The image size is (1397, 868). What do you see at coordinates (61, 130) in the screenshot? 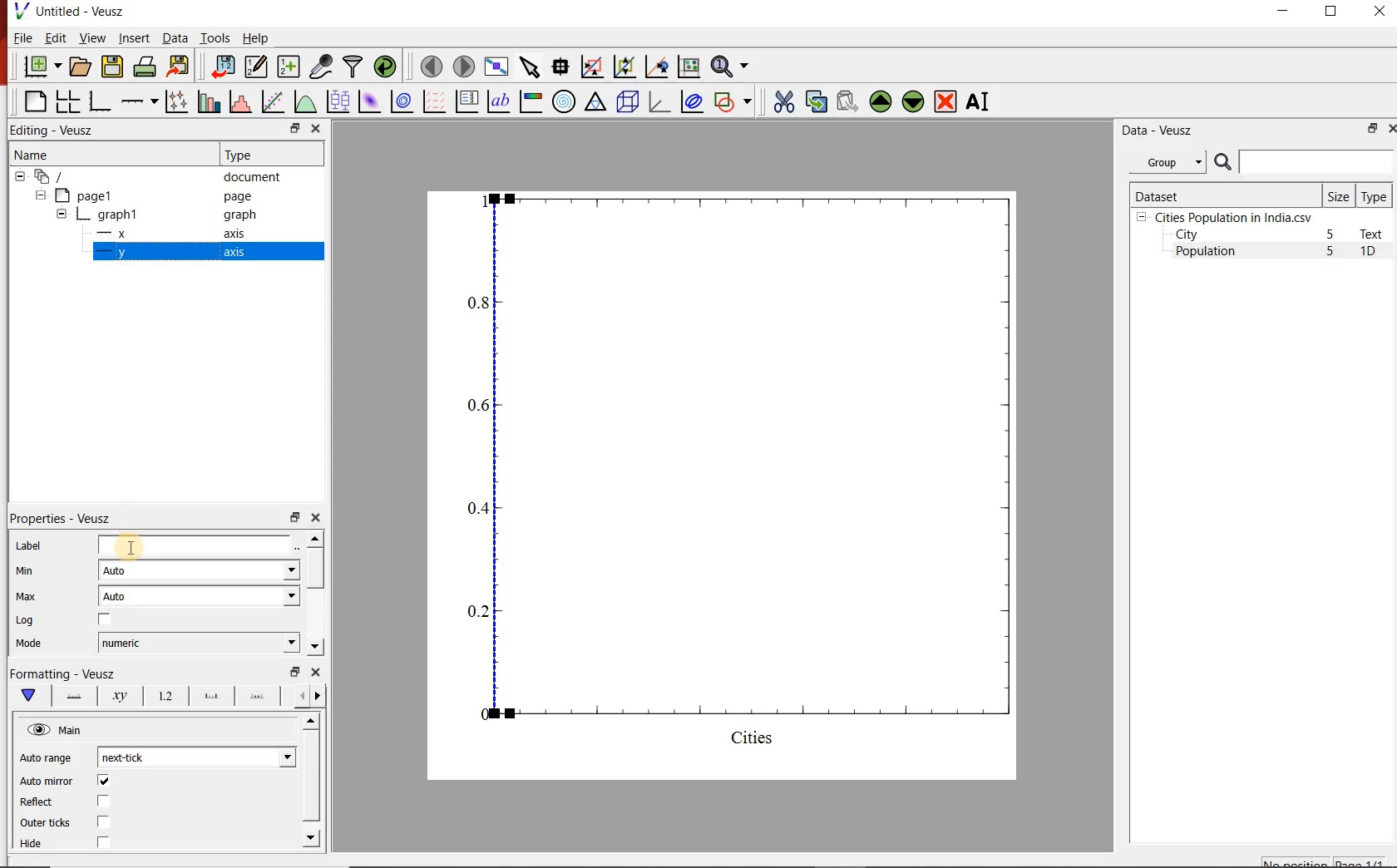
I see `Editing - Veusz` at bounding box center [61, 130].